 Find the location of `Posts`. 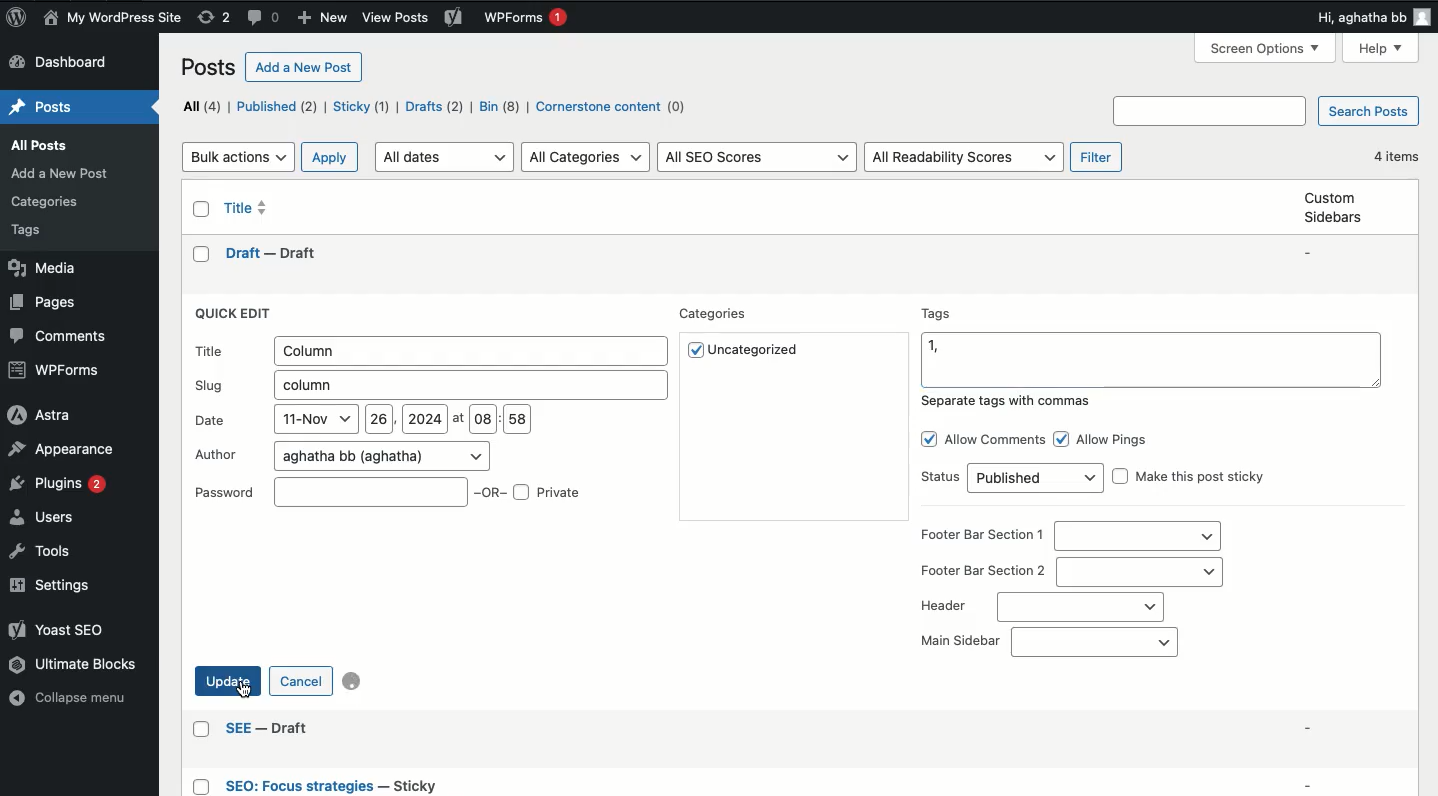

Posts is located at coordinates (206, 70).